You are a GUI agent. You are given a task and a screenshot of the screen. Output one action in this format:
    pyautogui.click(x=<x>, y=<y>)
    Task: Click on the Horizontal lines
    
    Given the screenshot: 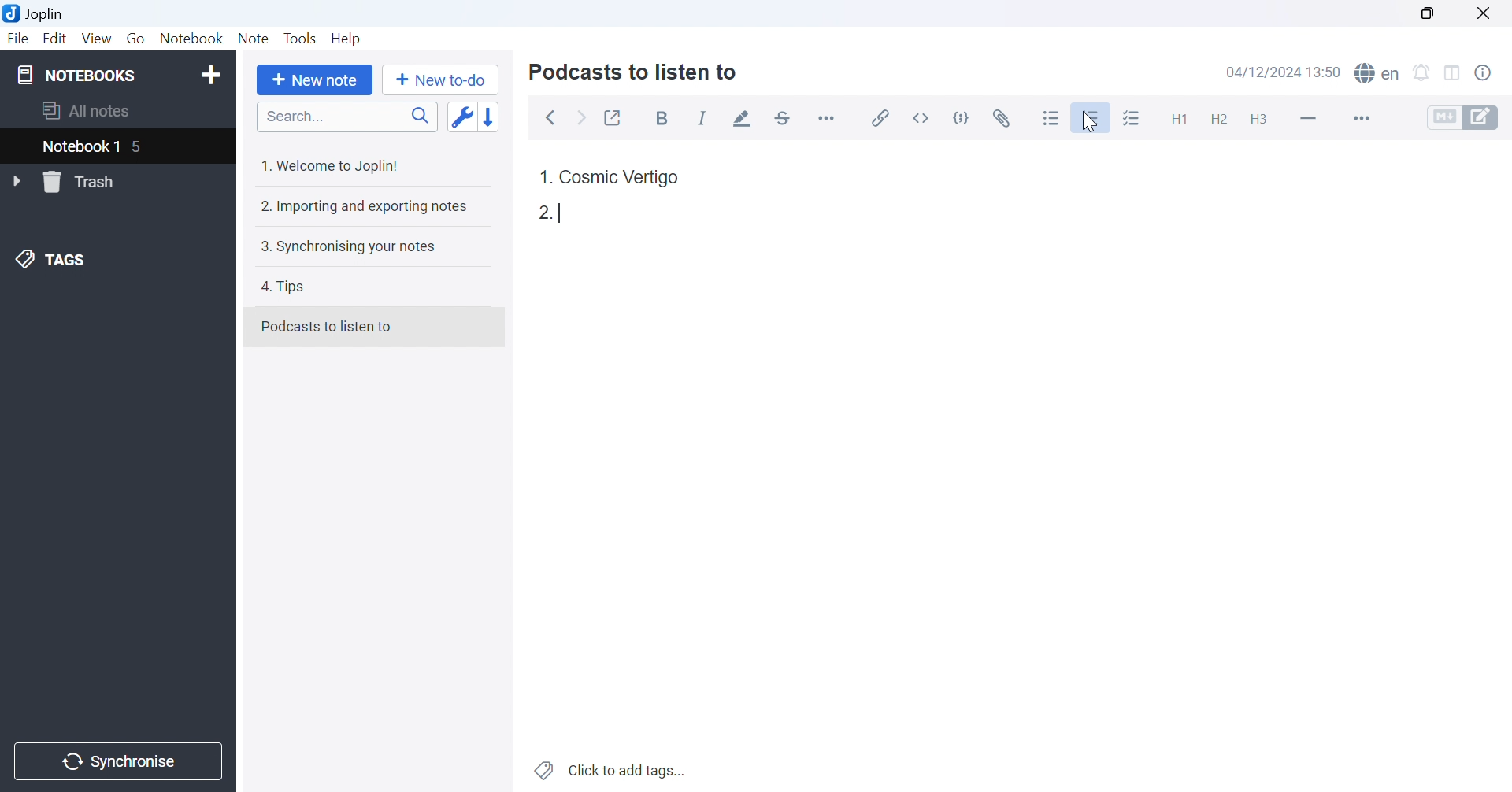 What is the action you would take?
    pyautogui.click(x=1308, y=117)
    